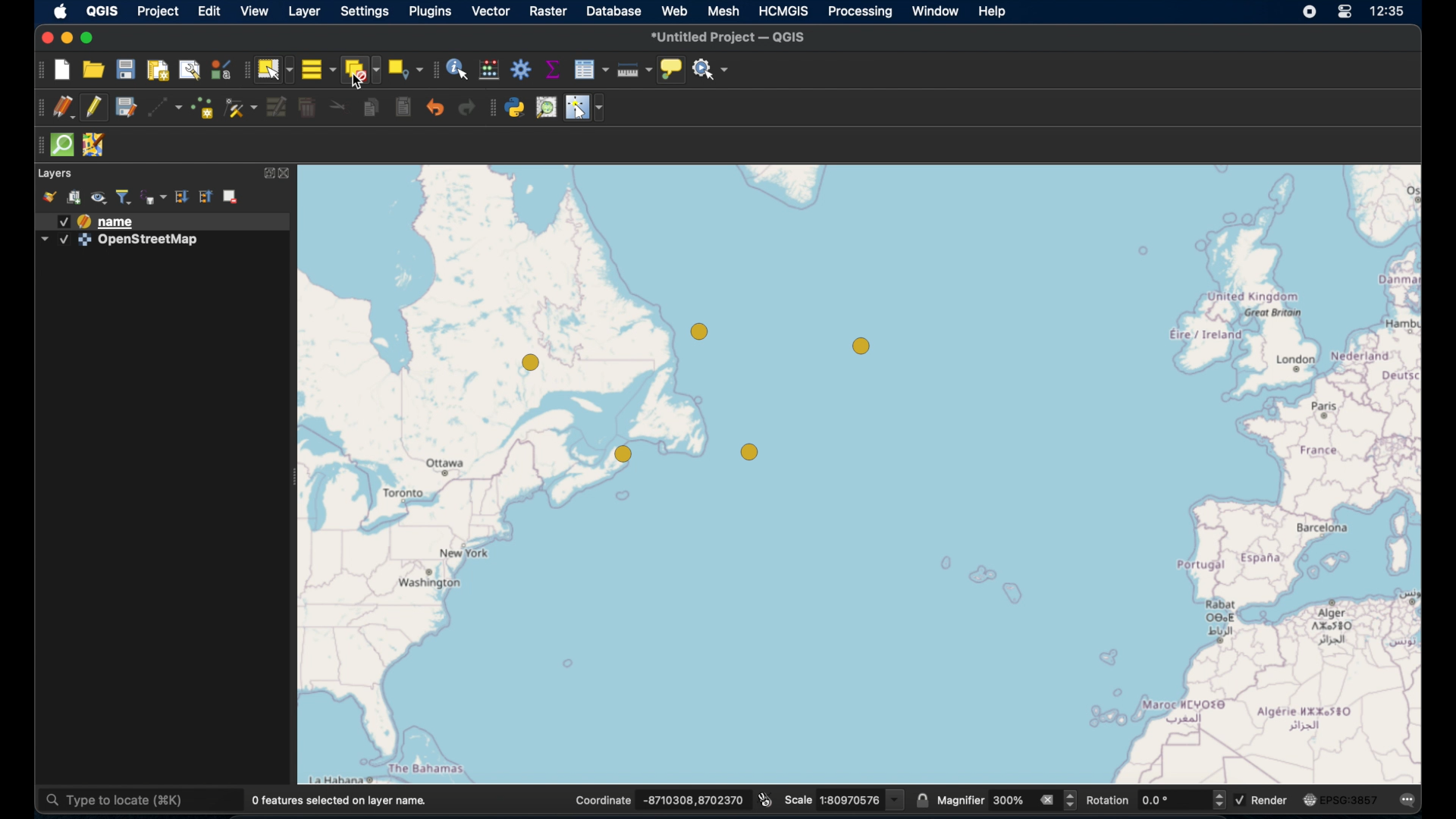 Image resolution: width=1456 pixels, height=819 pixels. I want to click on copy features, so click(371, 108).